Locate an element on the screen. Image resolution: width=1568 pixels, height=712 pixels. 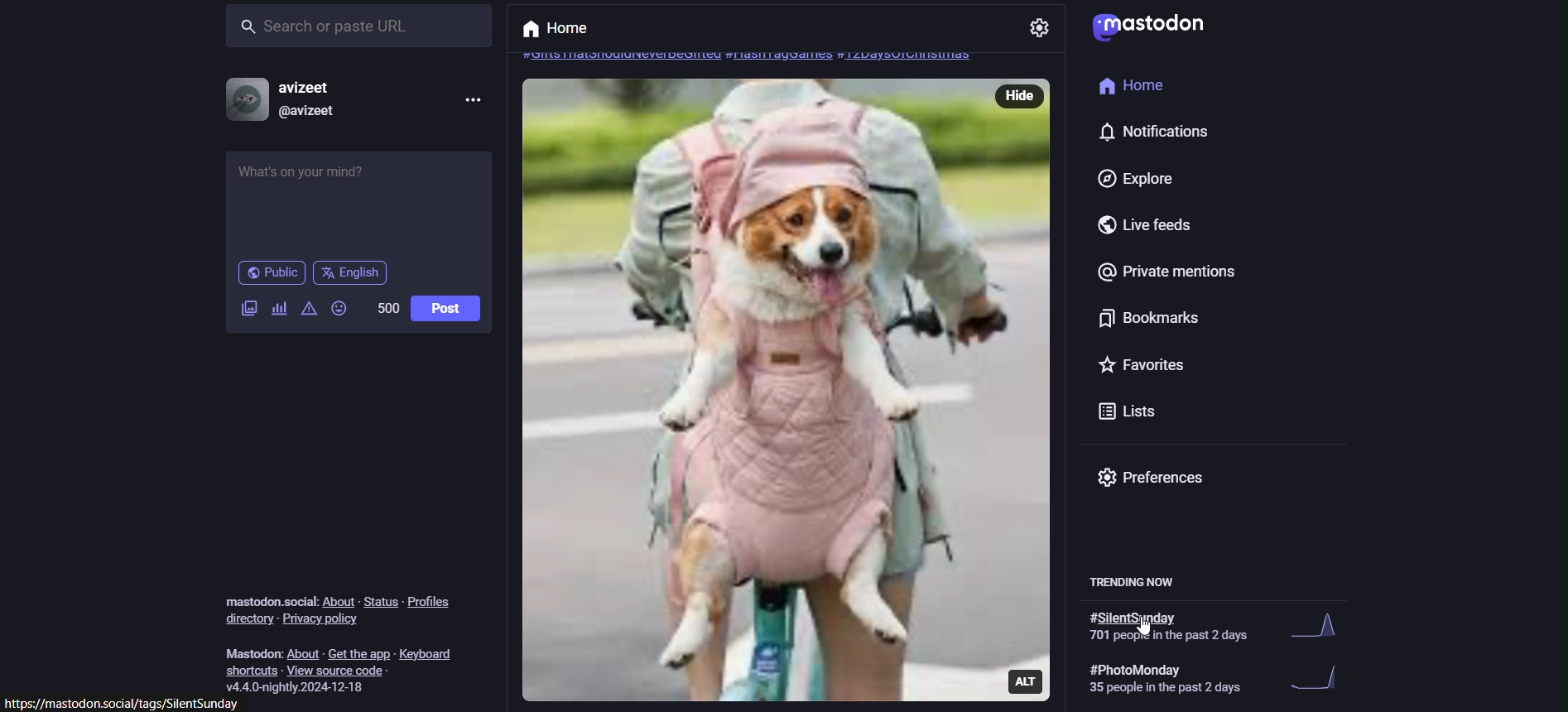
Home is located at coordinates (565, 28).